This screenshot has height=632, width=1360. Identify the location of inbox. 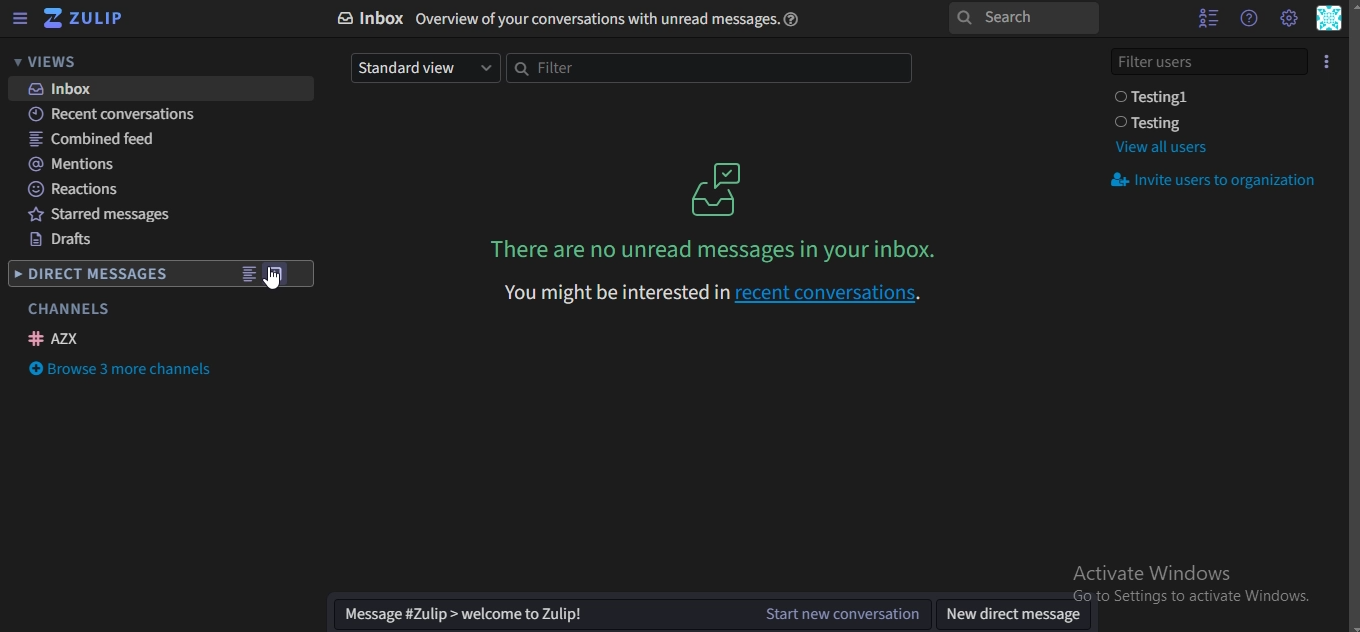
(67, 89).